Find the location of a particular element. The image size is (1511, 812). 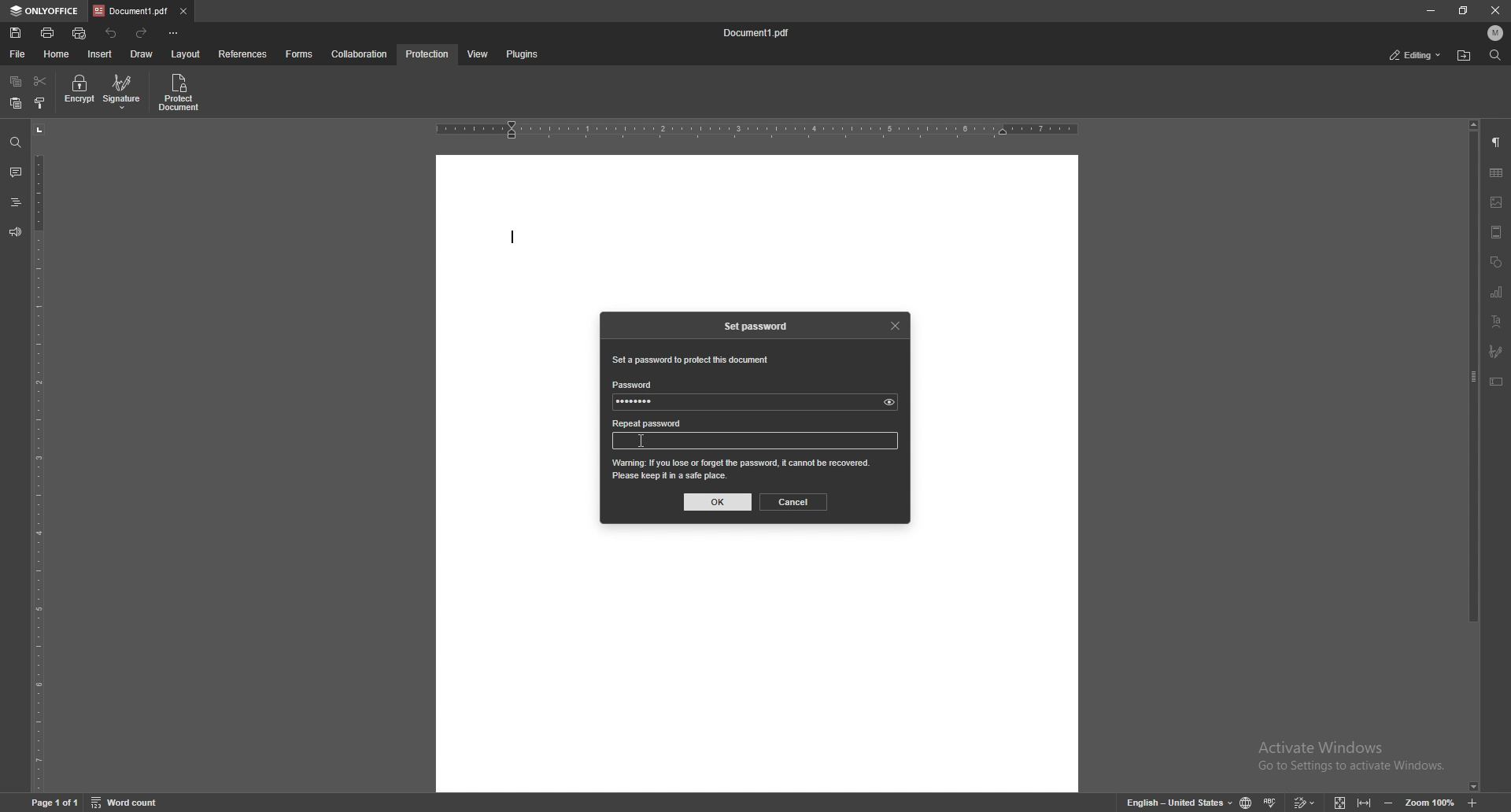

close tab is located at coordinates (183, 10).